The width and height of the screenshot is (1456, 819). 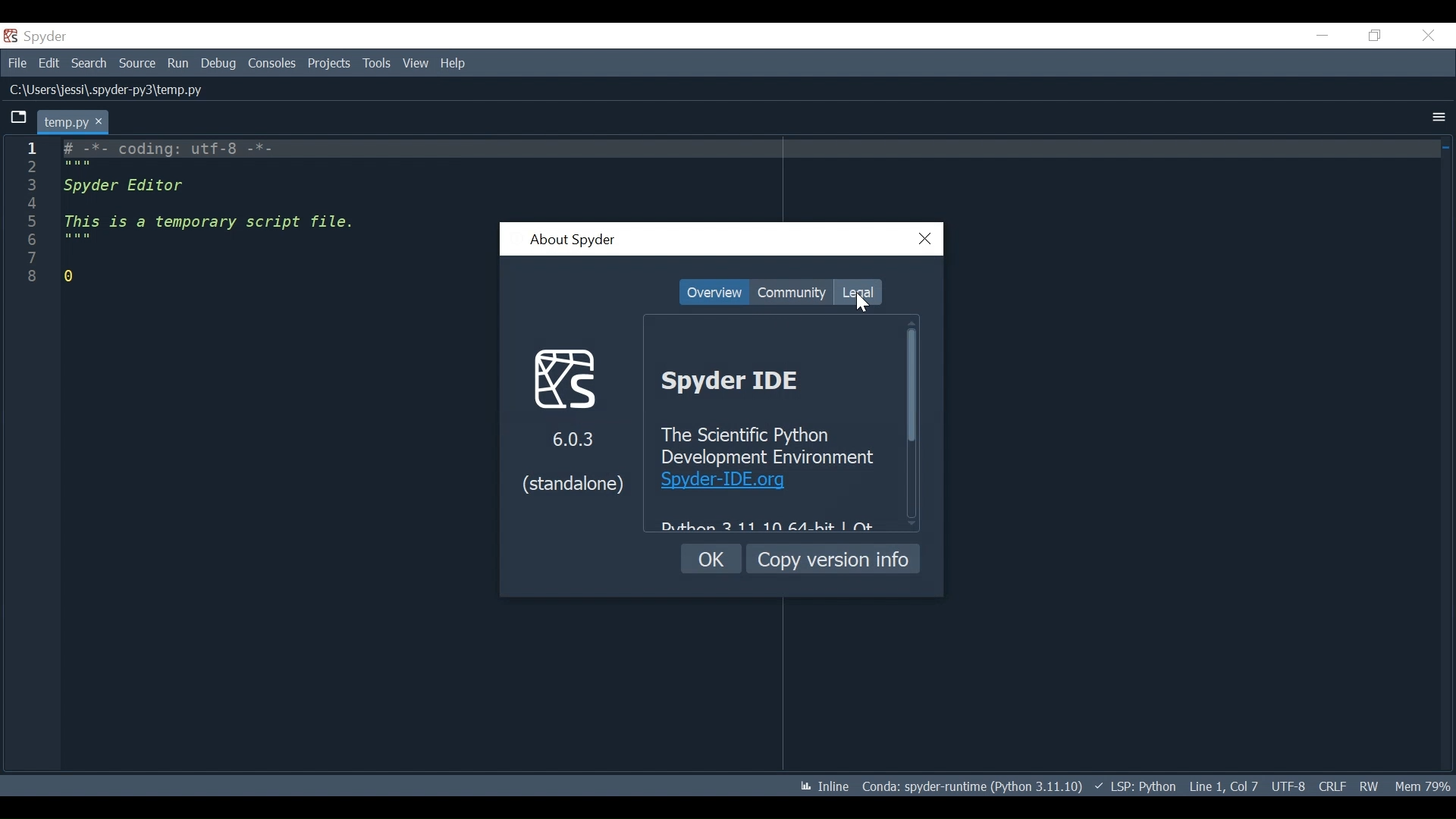 I want to click on About Spyder, so click(x=572, y=241).